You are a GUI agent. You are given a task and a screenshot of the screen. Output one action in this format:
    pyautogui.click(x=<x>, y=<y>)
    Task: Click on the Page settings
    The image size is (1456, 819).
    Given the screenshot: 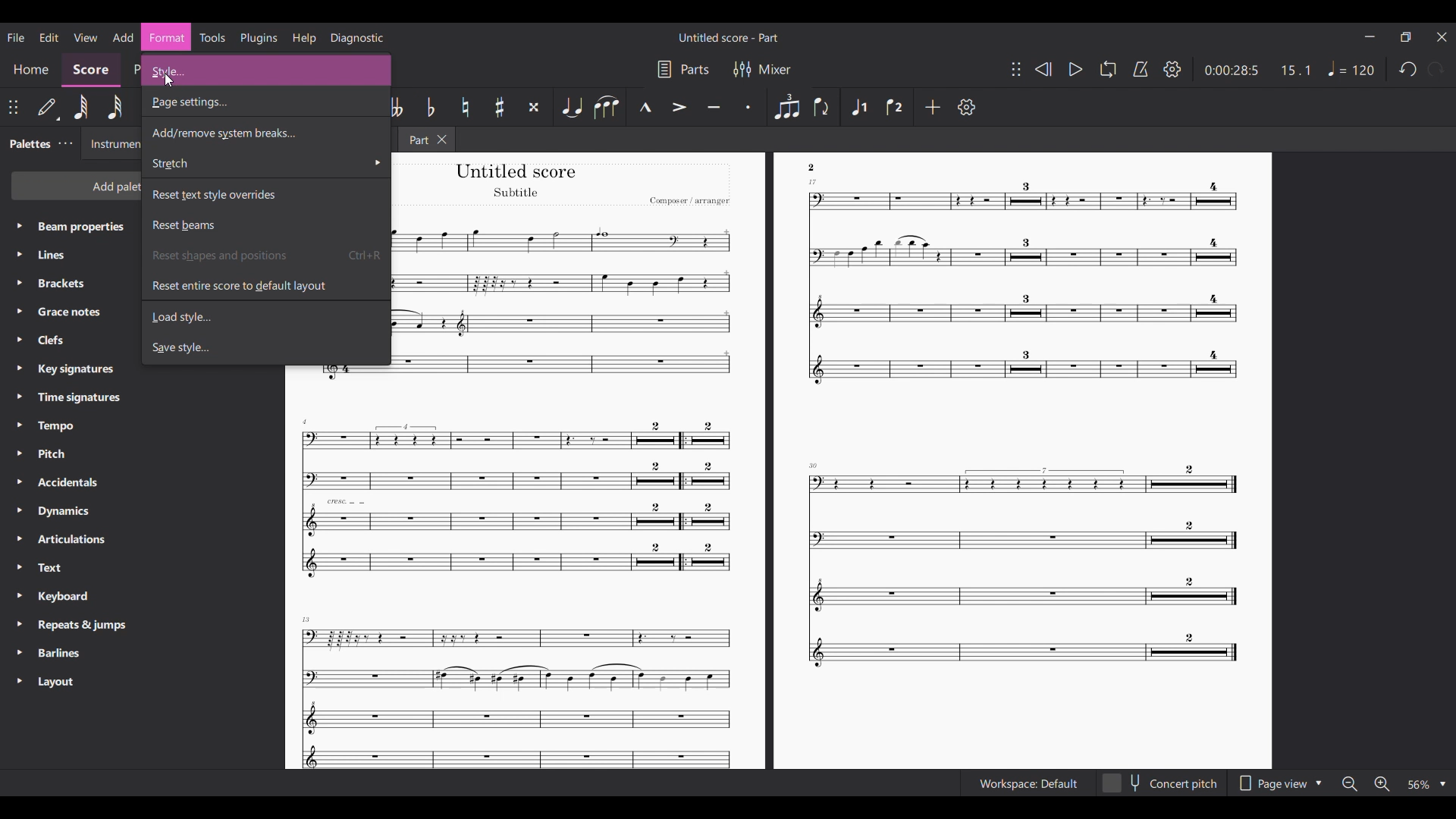 What is the action you would take?
    pyautogui.click(x=256, y=102)
    